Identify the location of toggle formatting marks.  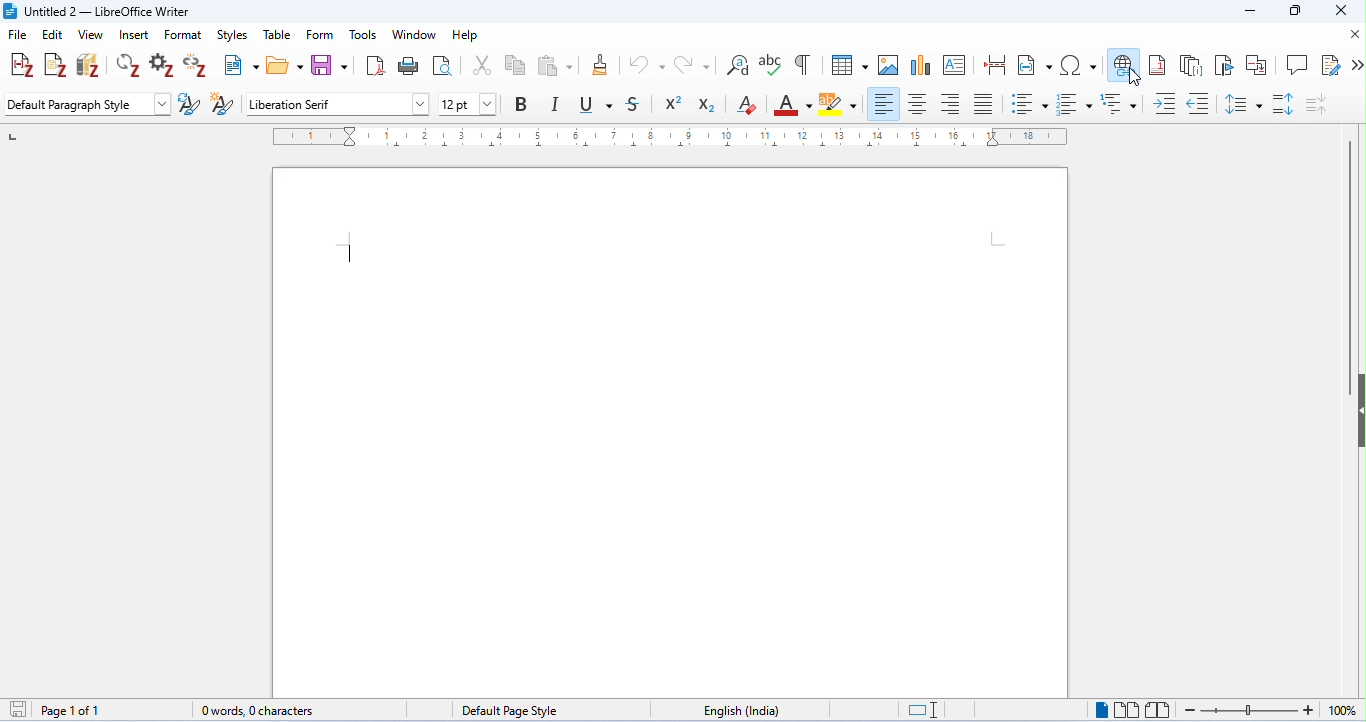
(803, 64).